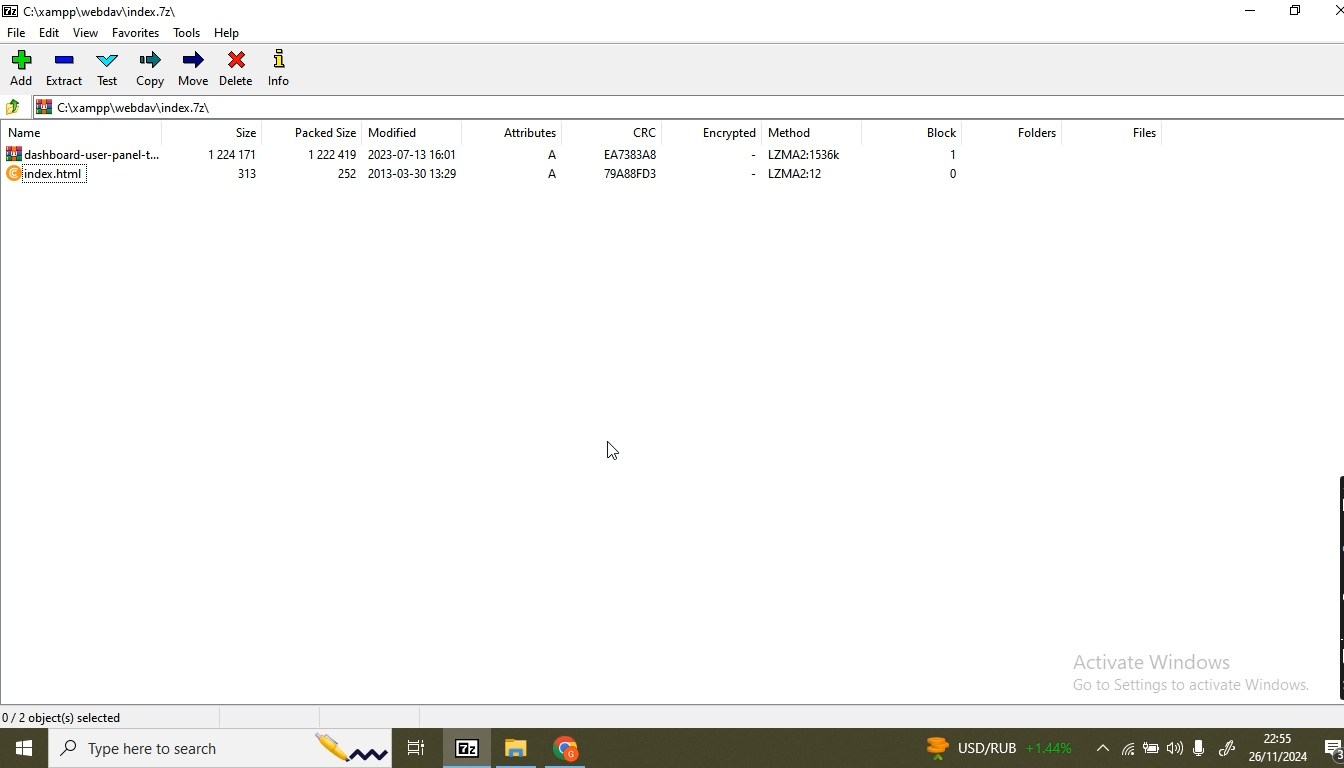 Image resolution: width=1344 pixels, height=768 pixels. Describe the element at coordinates (560, 179) in the screenshot. I see `A` at that location.